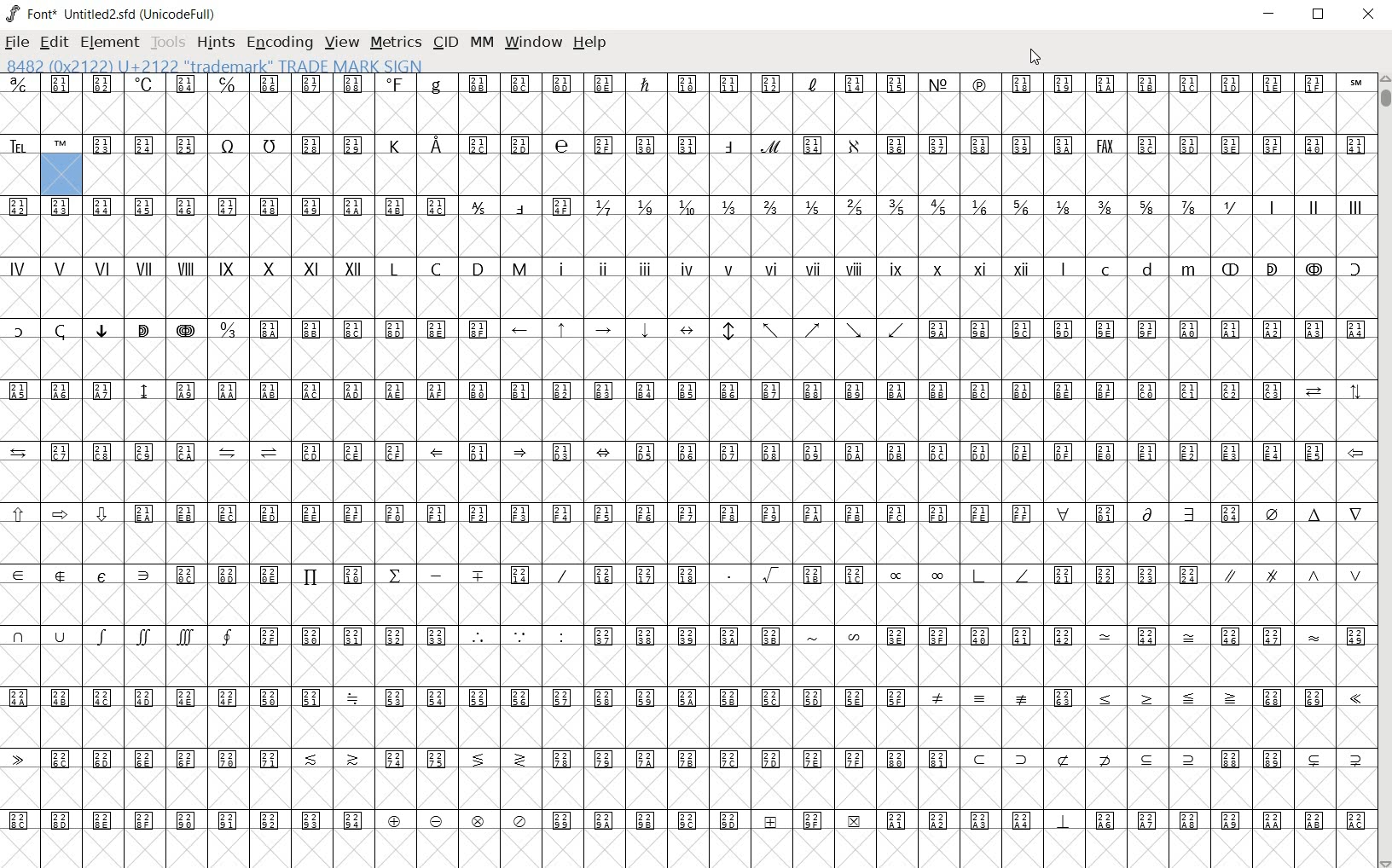 This screenshot has width=1392, height=868. What do you see at coordinates (481, 44) in the screenshot?
I see `MM` at bounding box center [481, 44].